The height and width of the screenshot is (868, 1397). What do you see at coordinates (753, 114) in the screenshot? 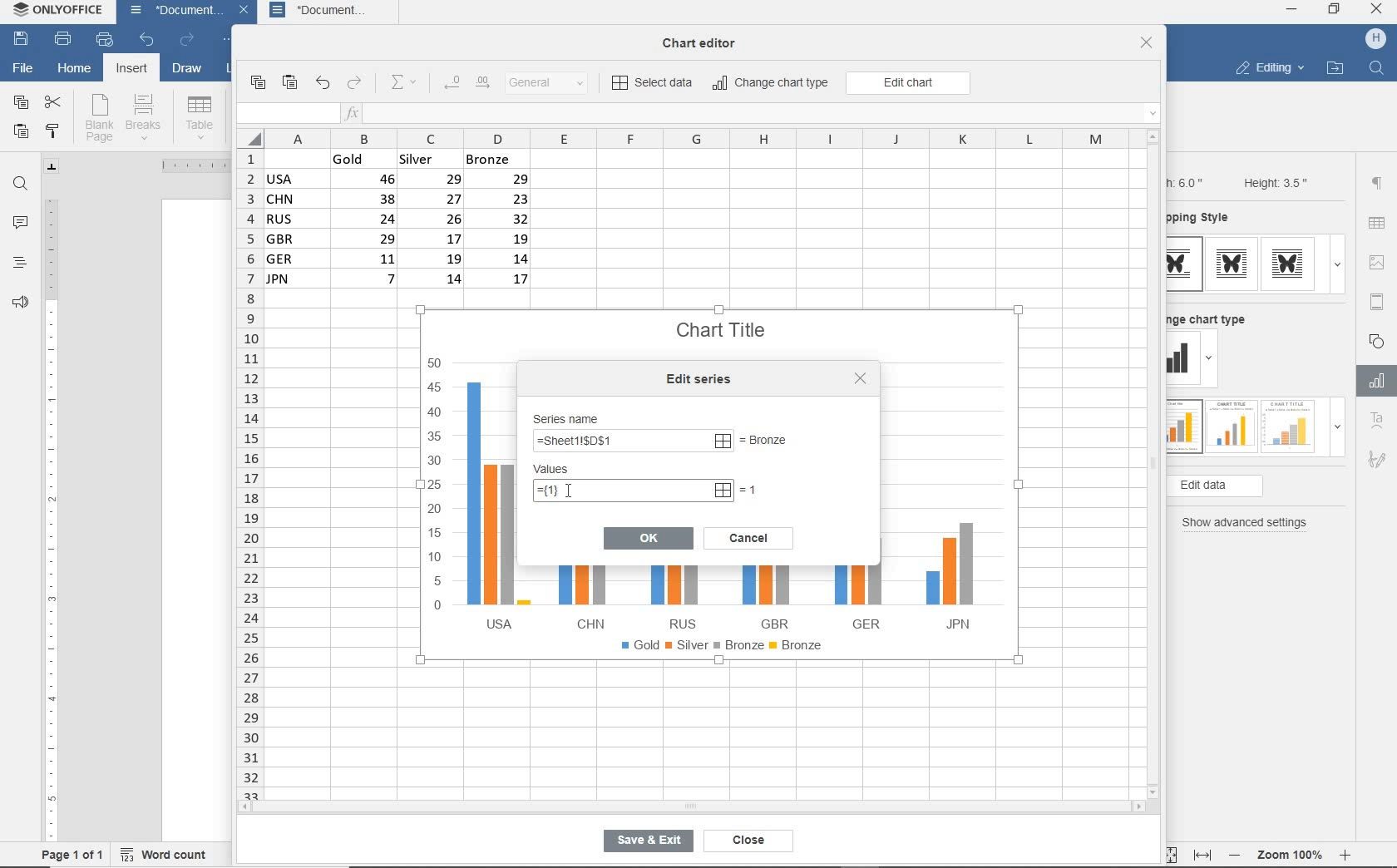
I see `insert function` at bounding box center [753, 114].